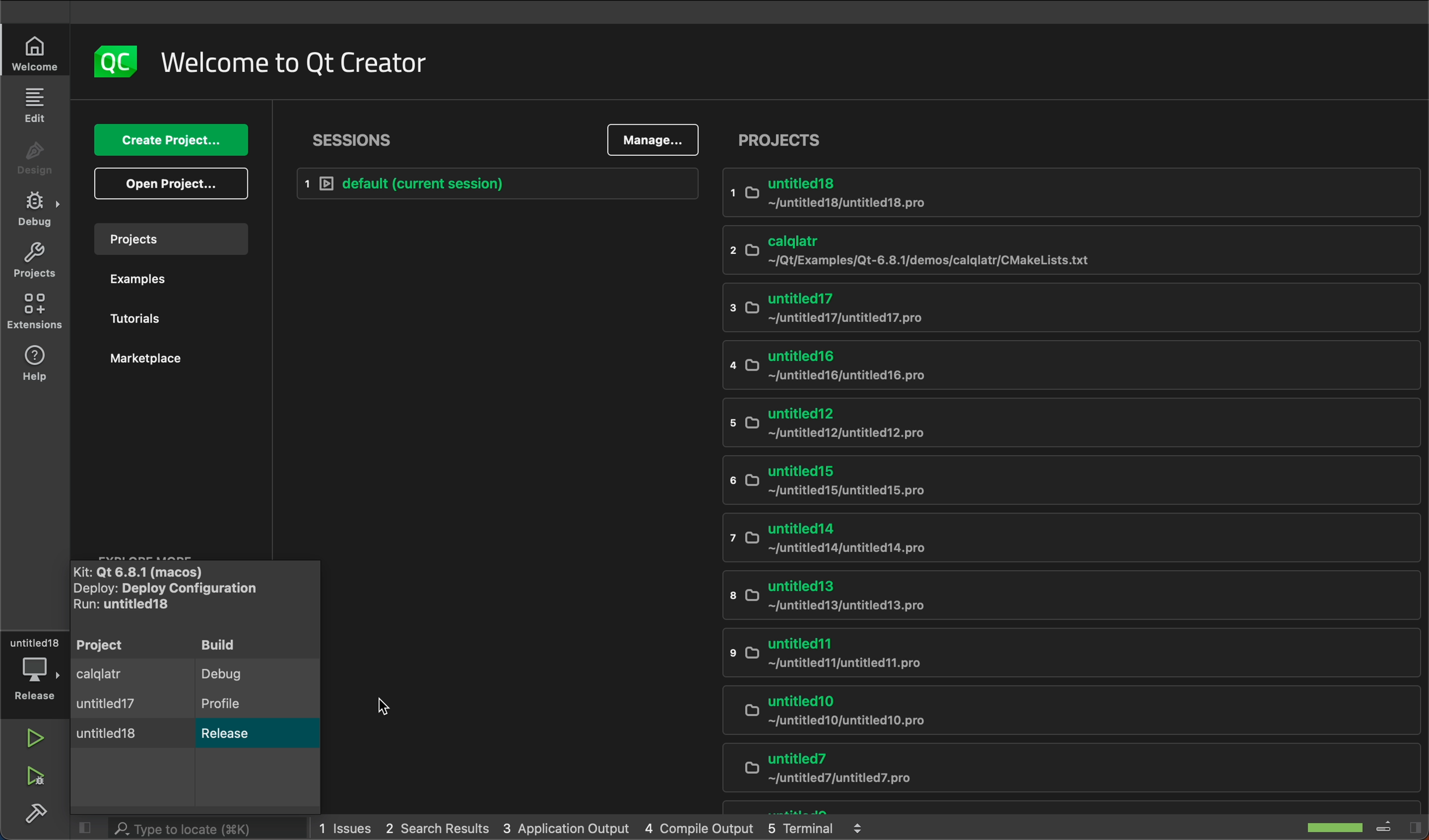 This screenshot has height=840, width=1429. I want to click on welcome, so click(32, 53).